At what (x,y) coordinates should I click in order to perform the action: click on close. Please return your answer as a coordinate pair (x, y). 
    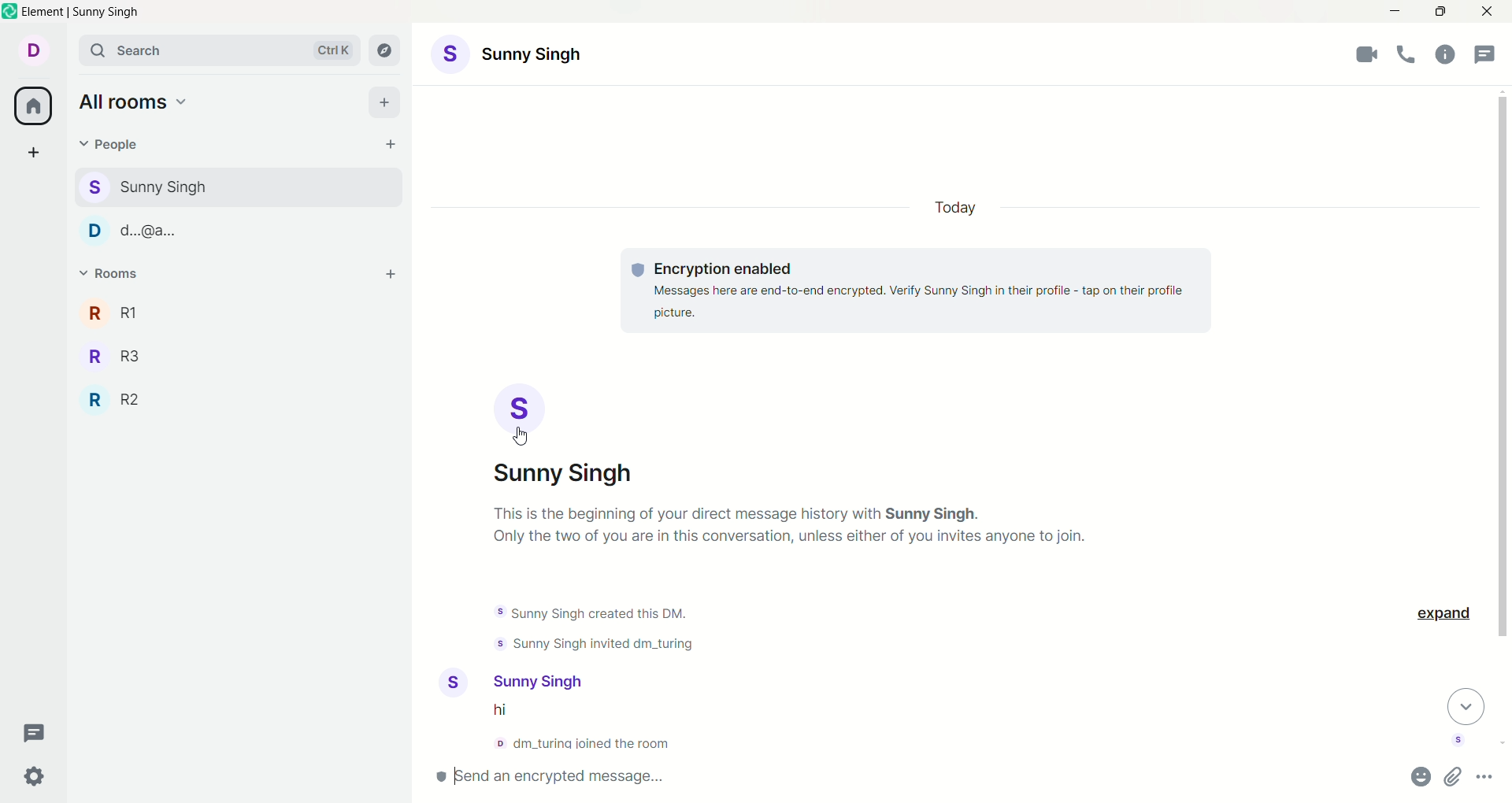
    Looking at the image, I should click on (1486, 12).